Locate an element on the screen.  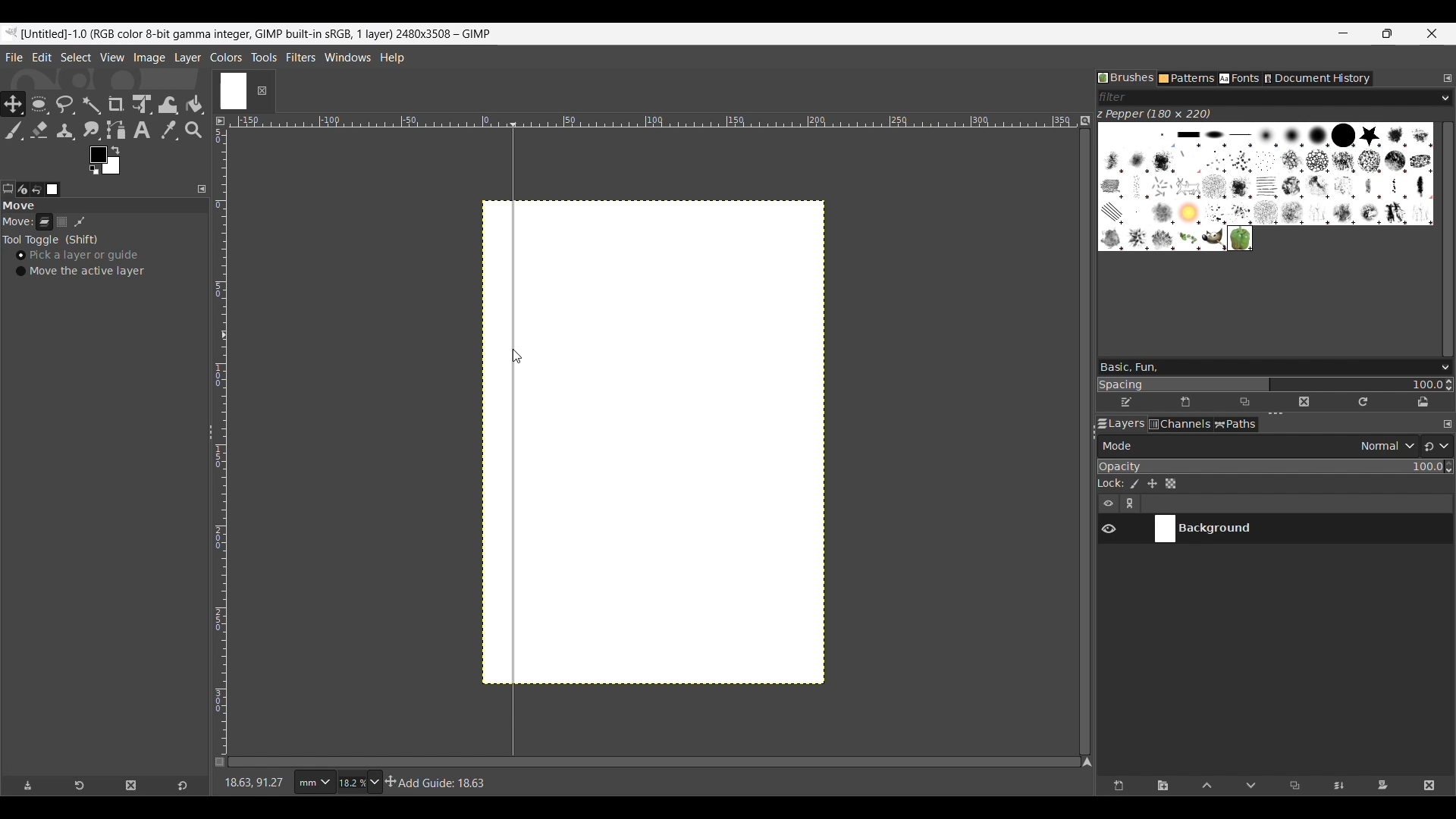
Current cursor co-ordinates is located at coordinates (253, 783).